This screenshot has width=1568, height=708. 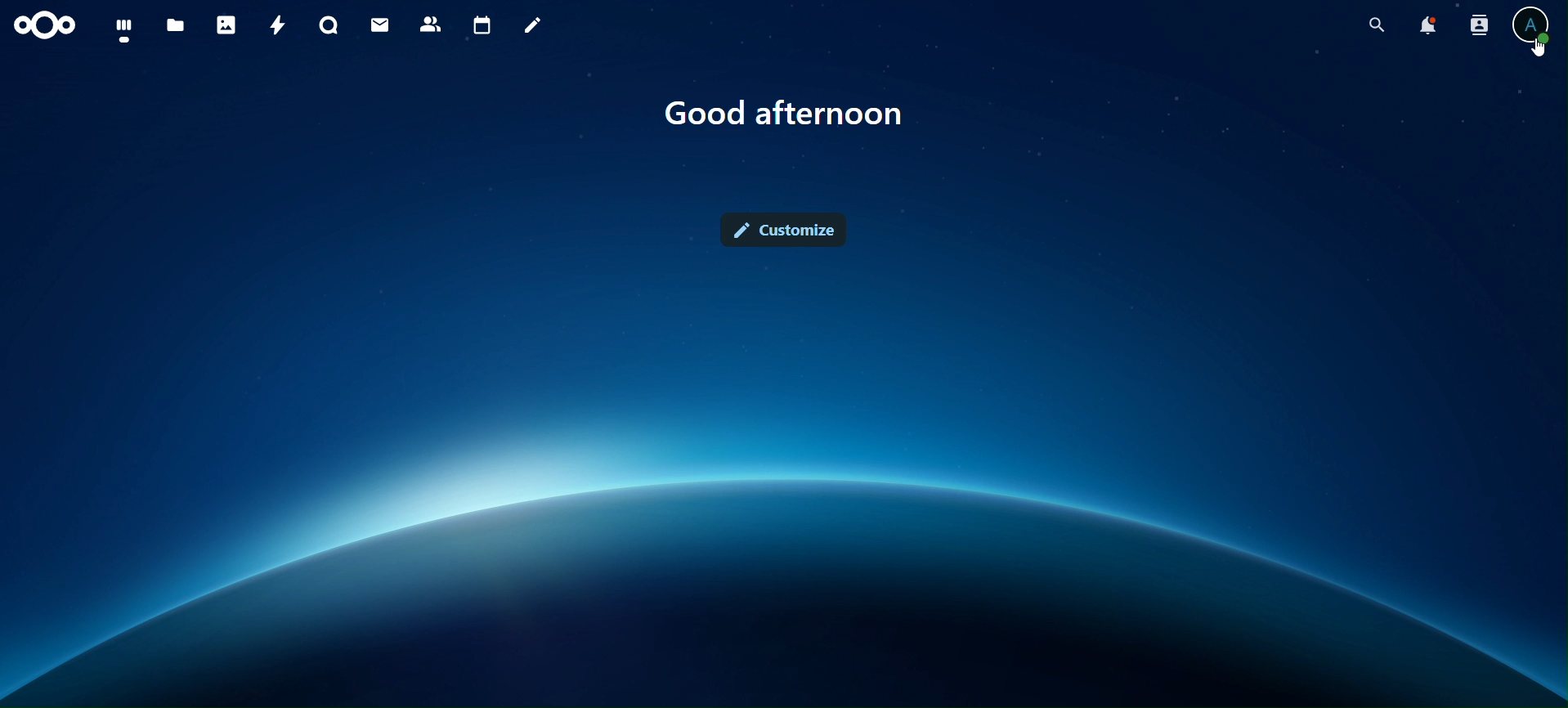 I want to click on talk, so click(x=329, y=25).